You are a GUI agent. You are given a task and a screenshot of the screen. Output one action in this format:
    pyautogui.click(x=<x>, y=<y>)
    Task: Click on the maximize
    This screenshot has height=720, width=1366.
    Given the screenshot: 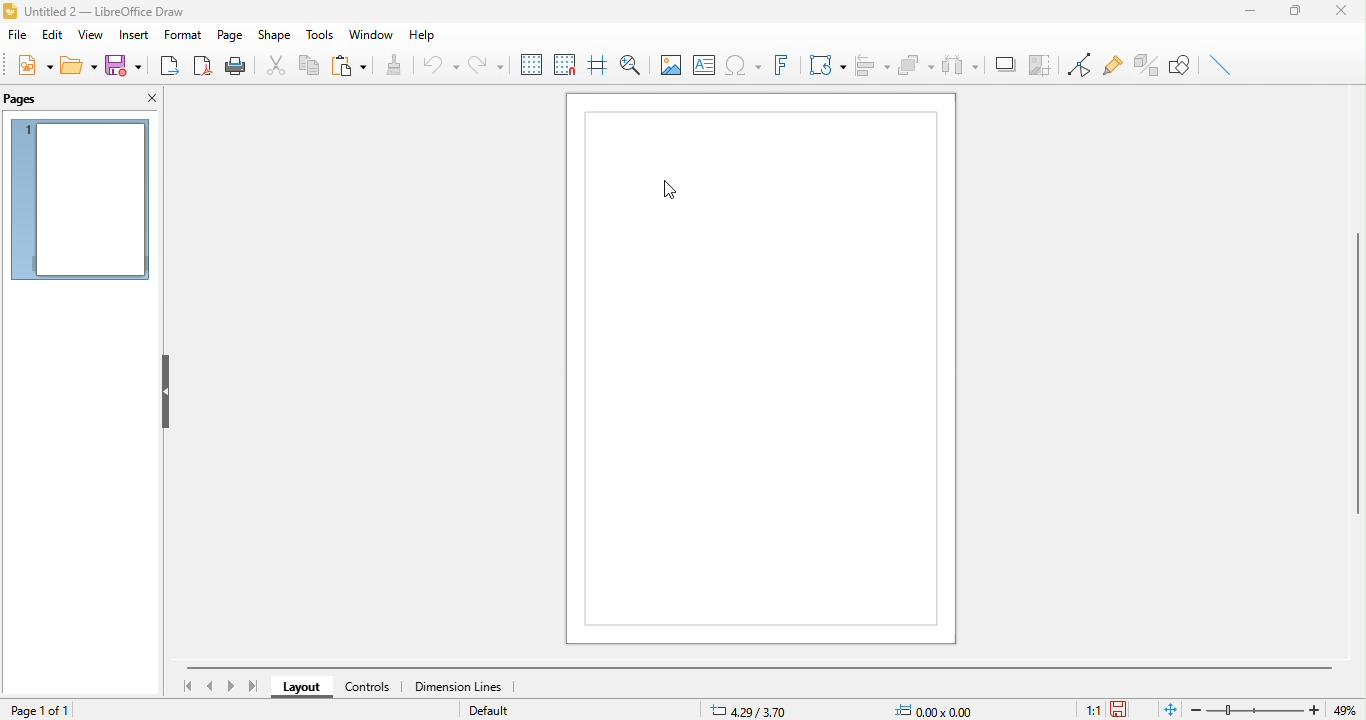 What is the action you would take?
    pyautogui.click(x=1296, y=11)
    